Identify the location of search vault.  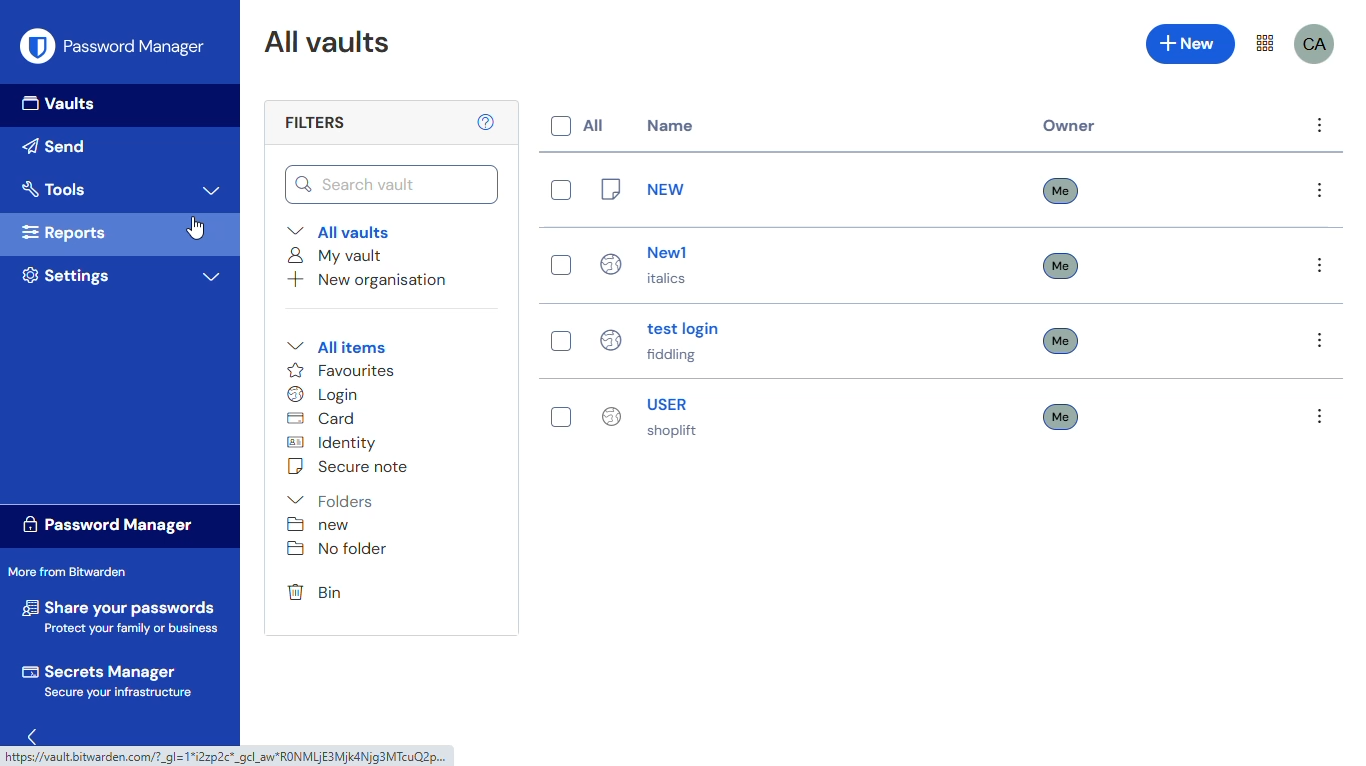
(391, 185).